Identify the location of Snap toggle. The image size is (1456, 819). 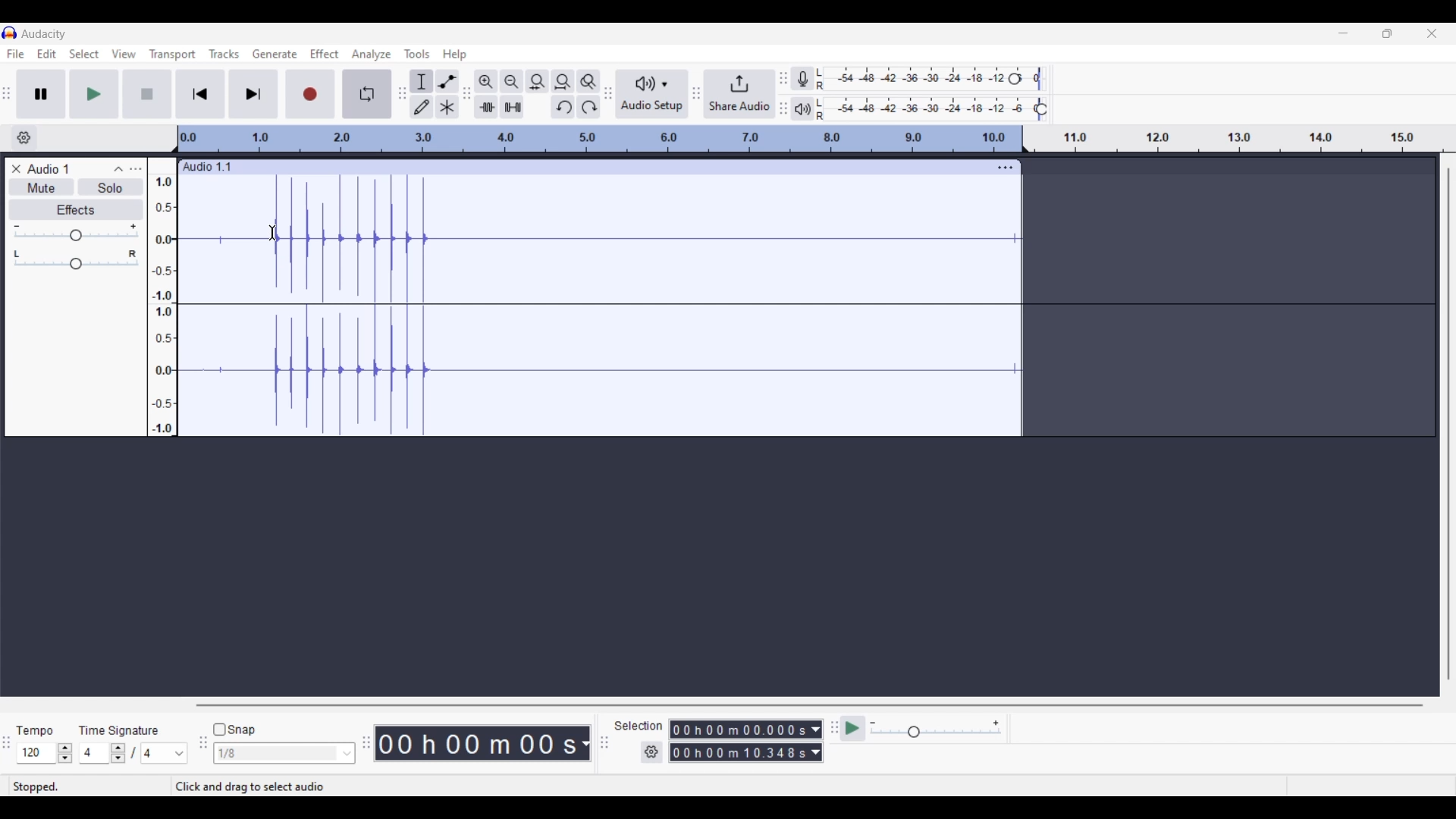
(234, 730).